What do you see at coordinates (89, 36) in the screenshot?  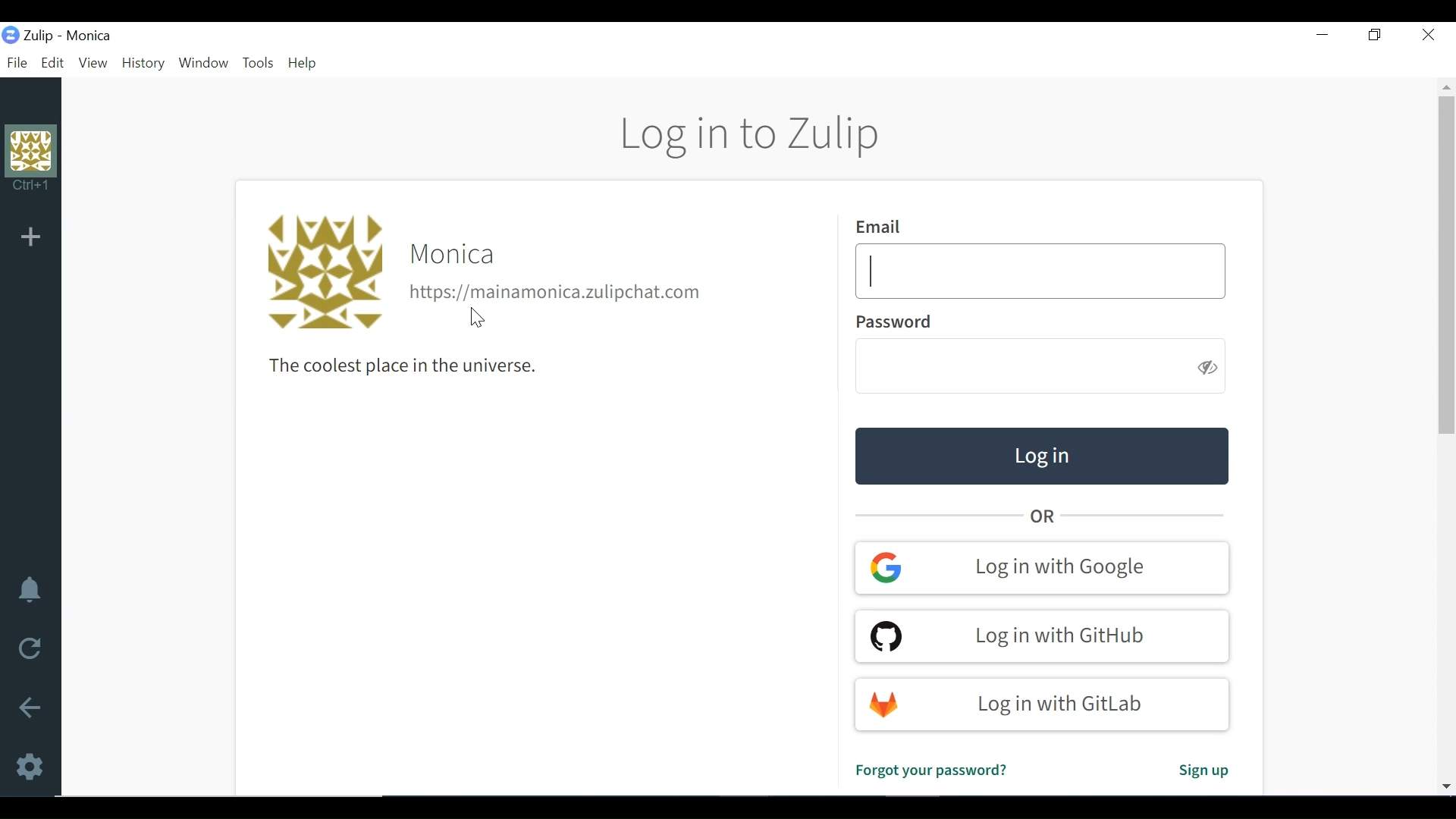 I see `Organisation name` at bounding box center [89, 36].